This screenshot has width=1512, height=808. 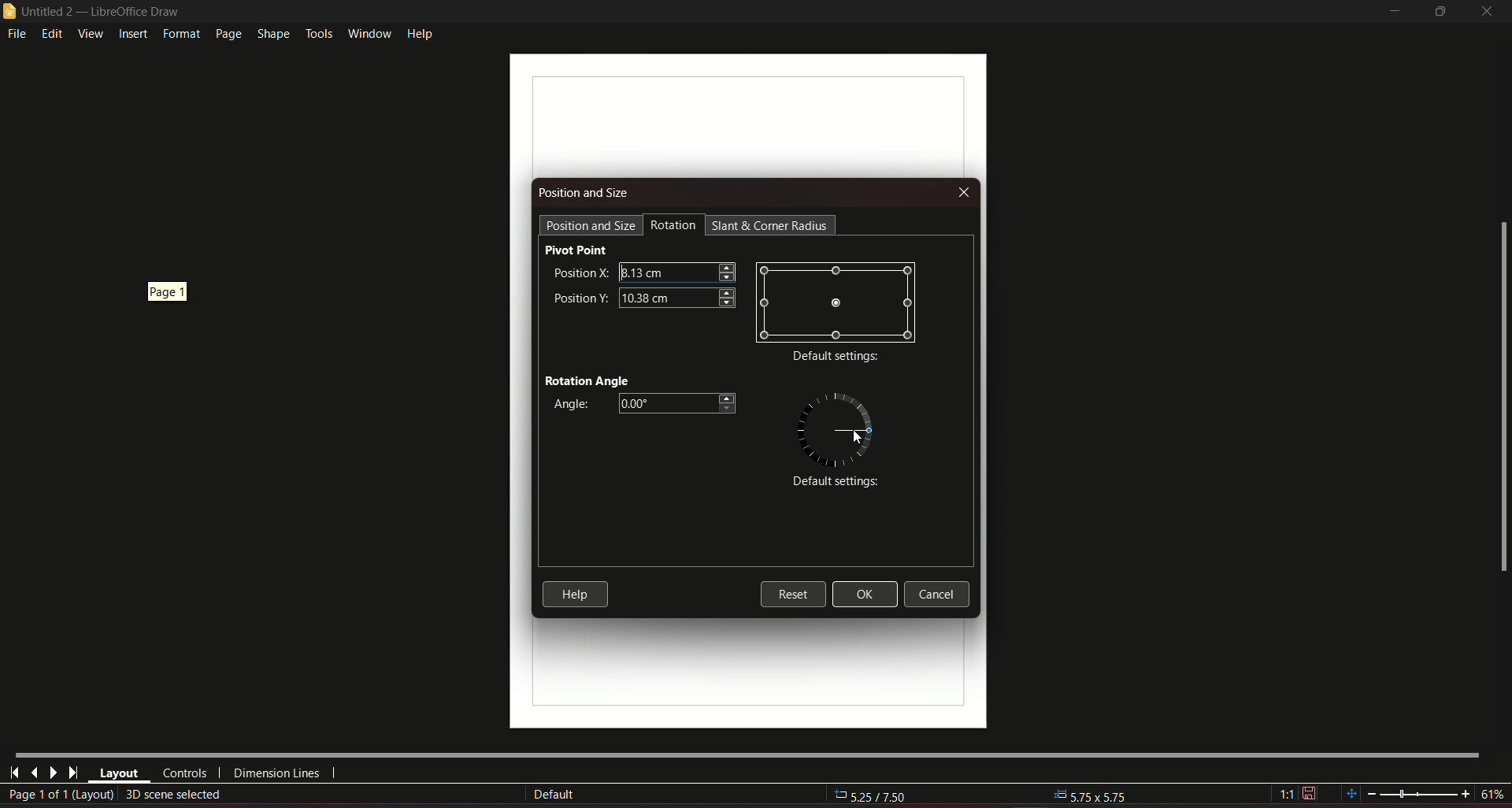 What do you see at coordinates (836, 358) in the screenshot?
I see `Default settings` at bounding box center [836, 358].